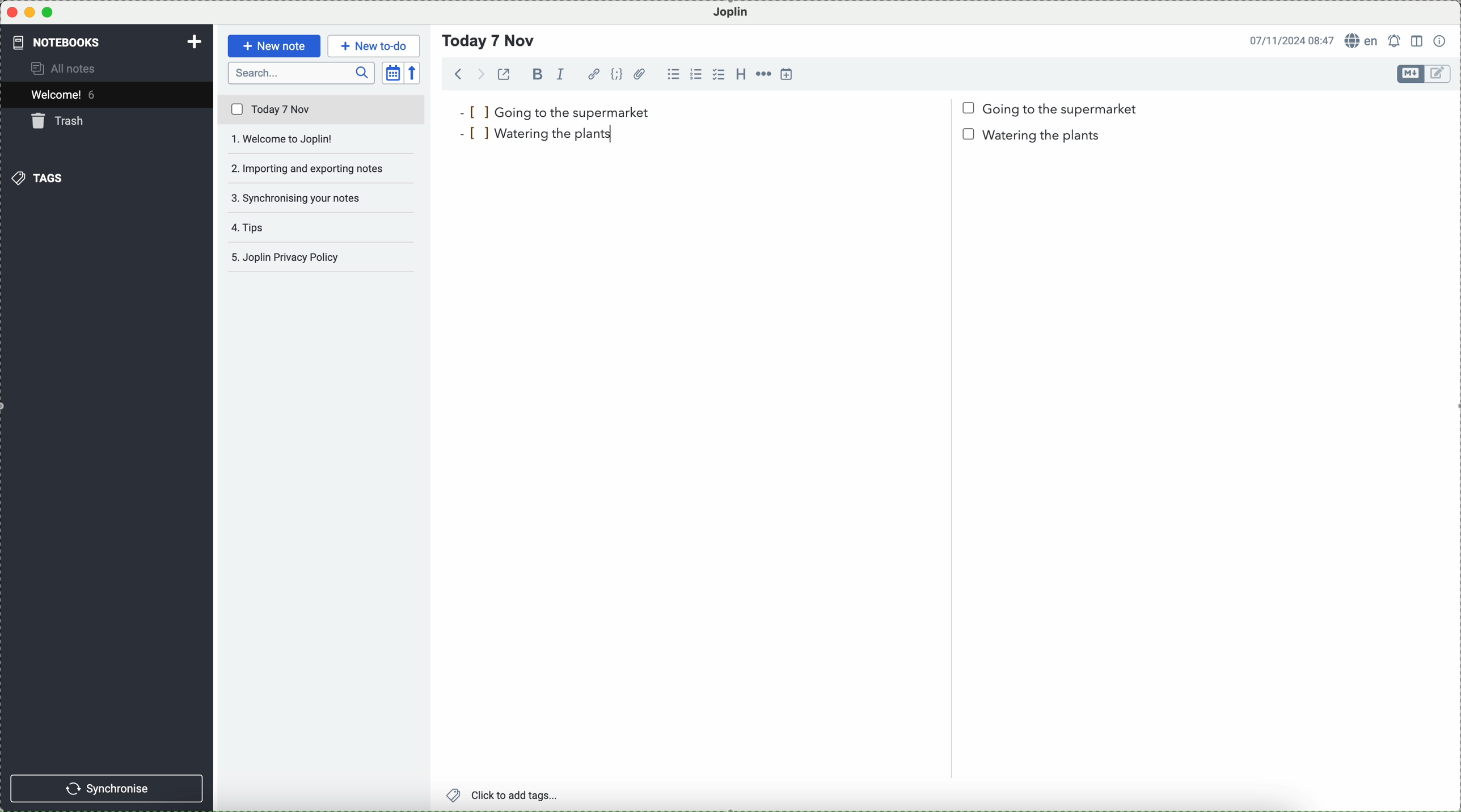 Image resolution: width=1461 pixels, height=812 pixels. What do you see at coordinates (195, 43) in the screenshot?
I see `add new notebook` at bounding box center [195, 43].